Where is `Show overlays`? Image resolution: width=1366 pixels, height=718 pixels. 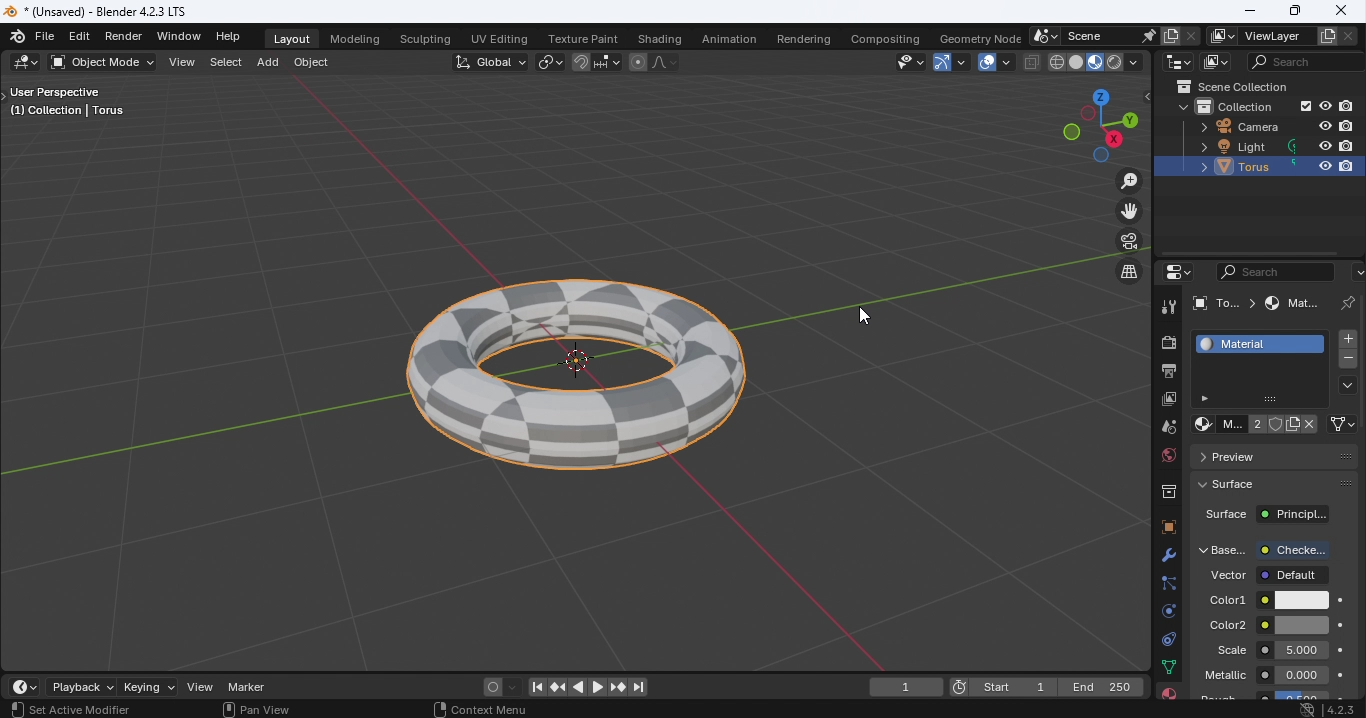 Show overlays is located at coordinates (996, 62).